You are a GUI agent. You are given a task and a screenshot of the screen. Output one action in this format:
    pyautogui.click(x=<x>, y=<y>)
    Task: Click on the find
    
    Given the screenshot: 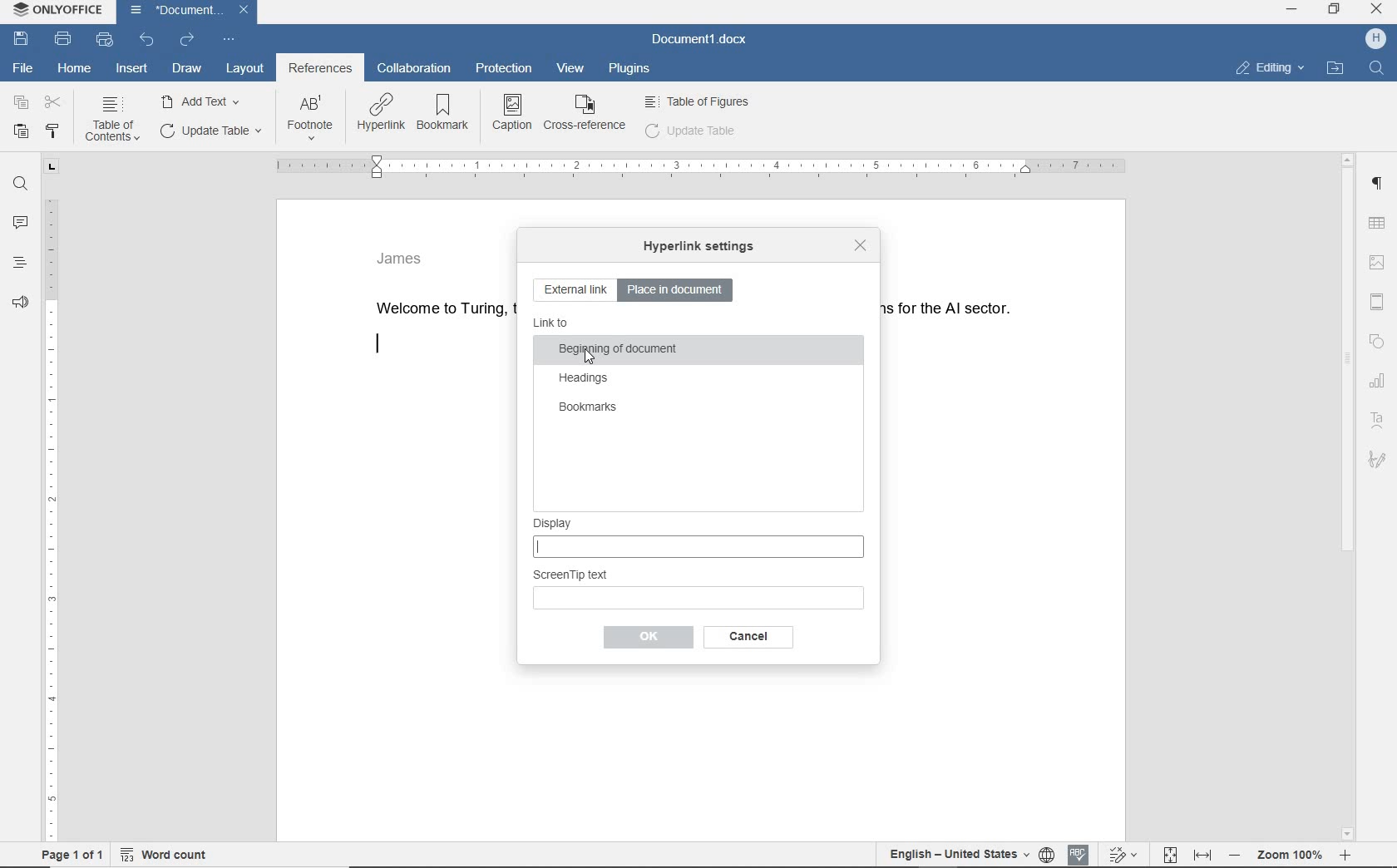 What is the action you would take?
    pyautogui.click(x=22, y=185)
    